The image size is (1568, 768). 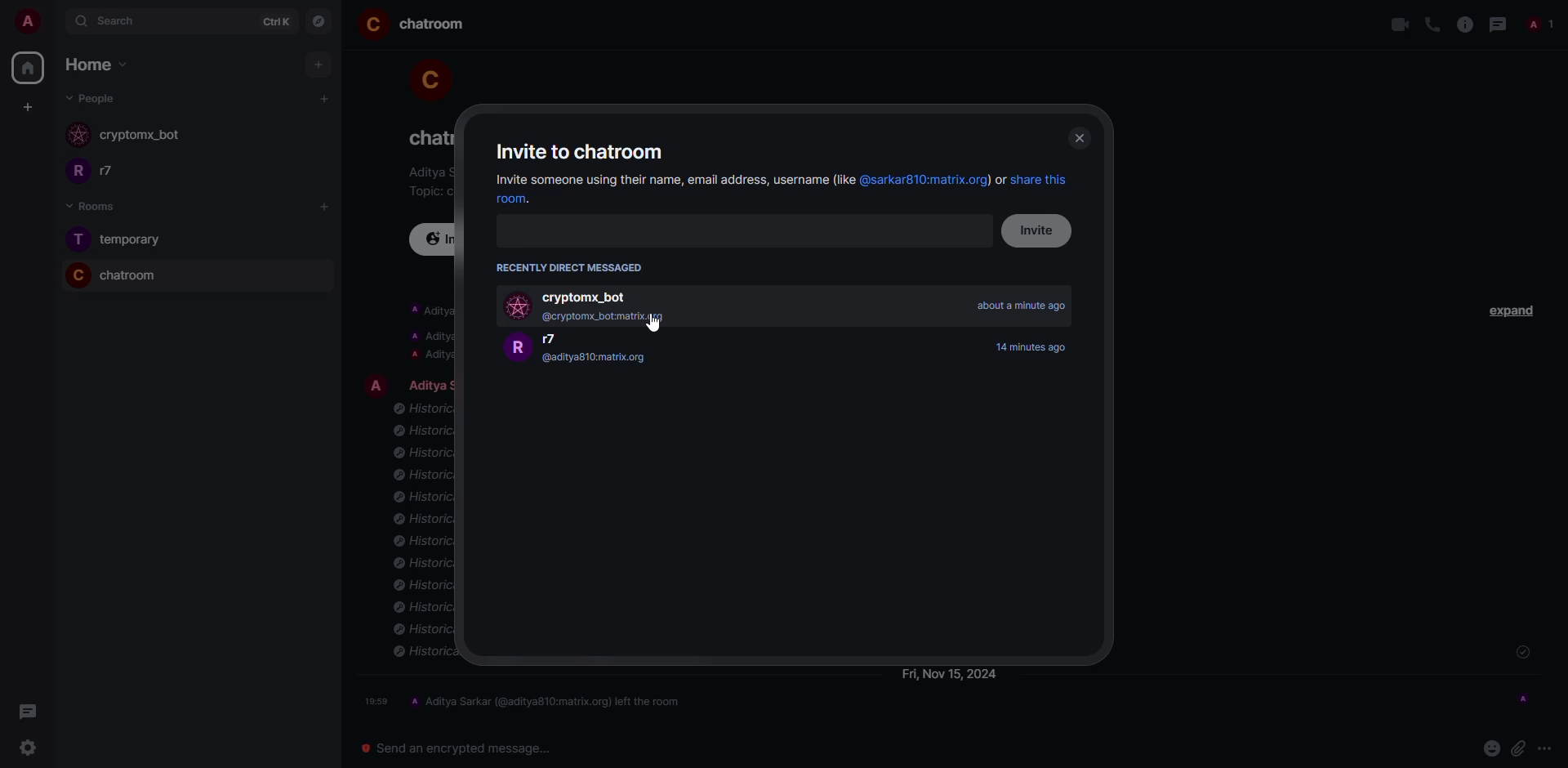 I want to click on profile, so click(x=74, y=173).